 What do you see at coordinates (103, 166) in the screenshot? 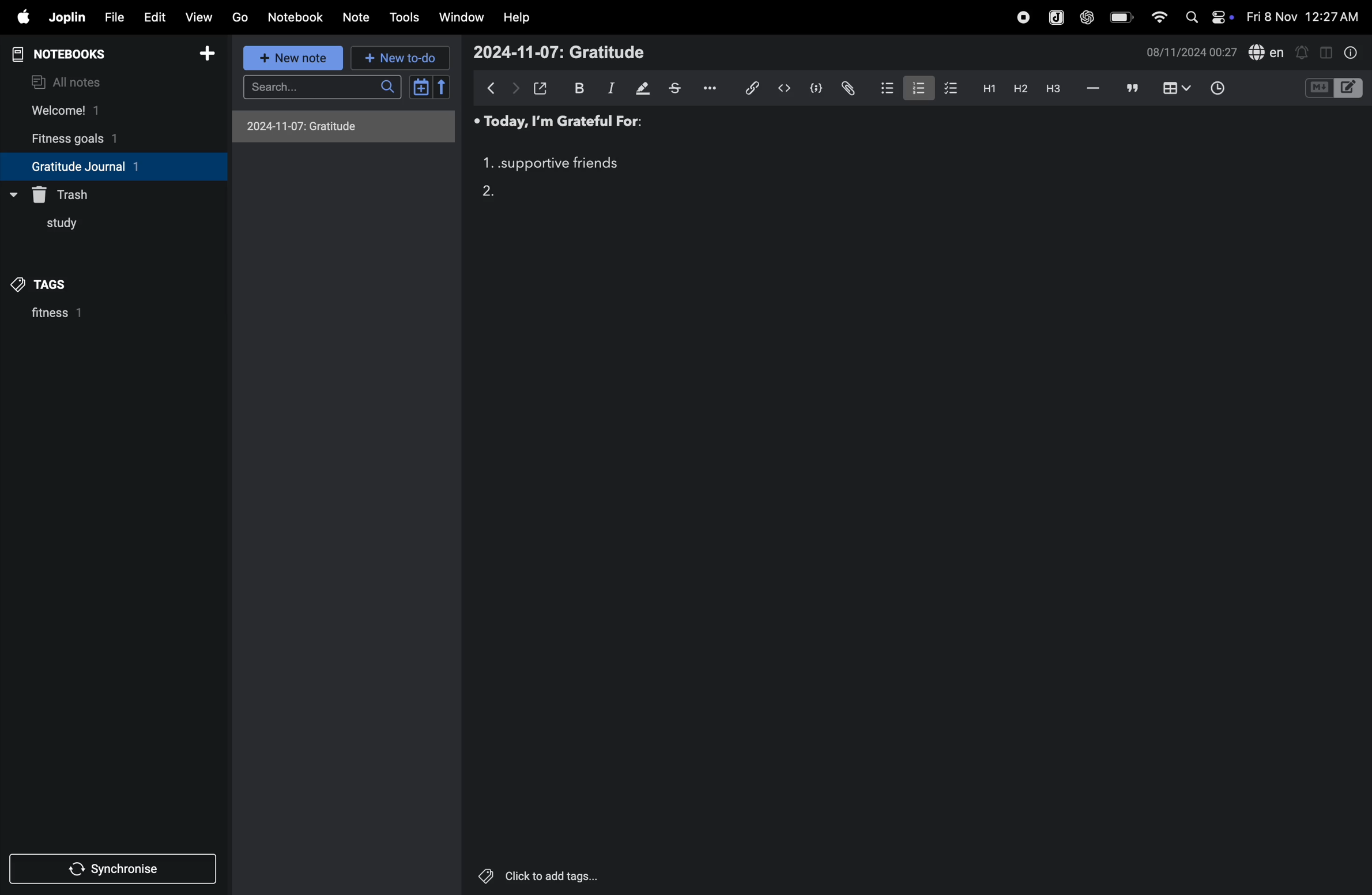
I see `gratitude journals 1` at bounding box center [103, 166].